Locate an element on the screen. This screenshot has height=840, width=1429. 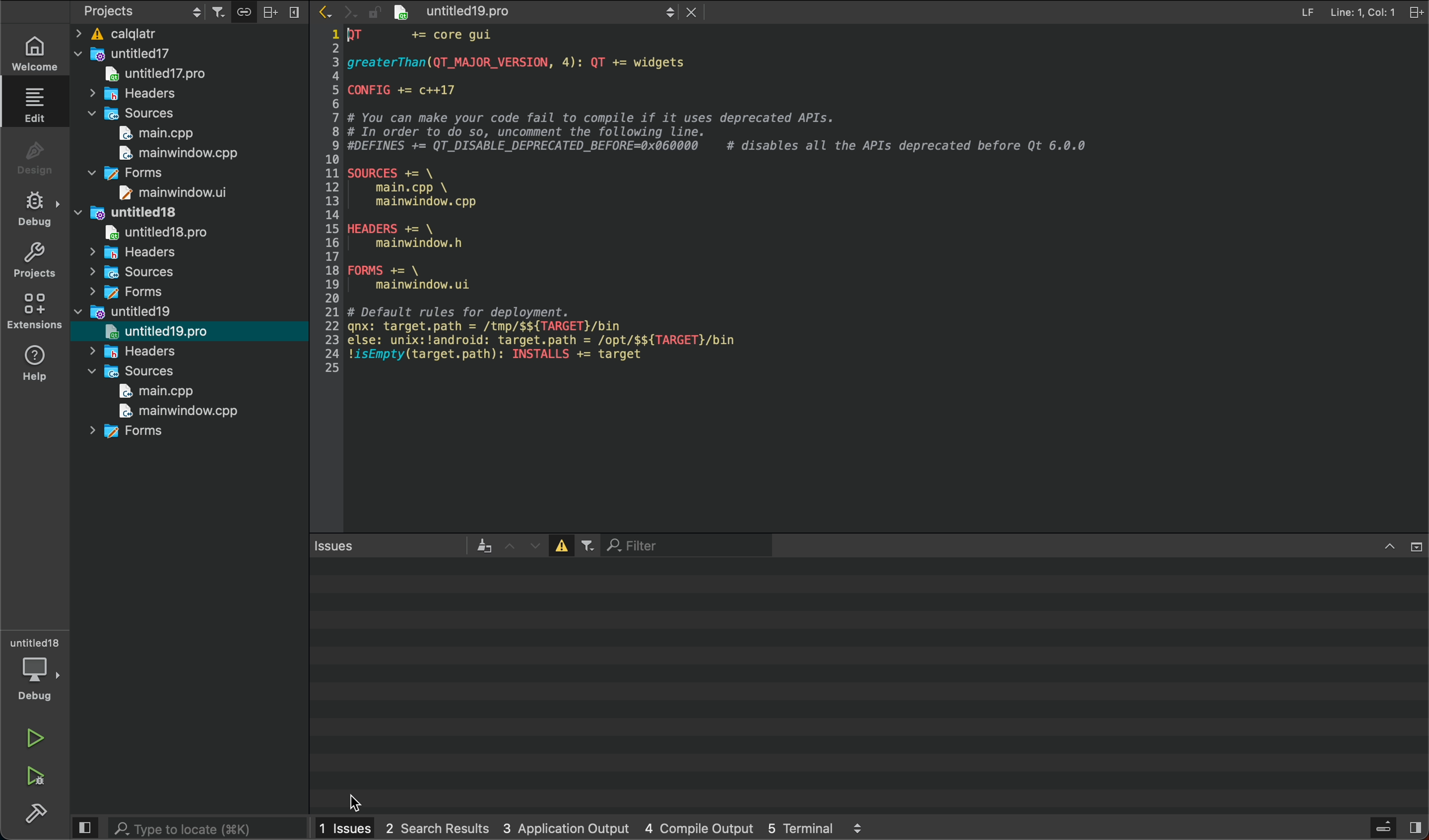
1 issues is located at coordinates (339, 828).